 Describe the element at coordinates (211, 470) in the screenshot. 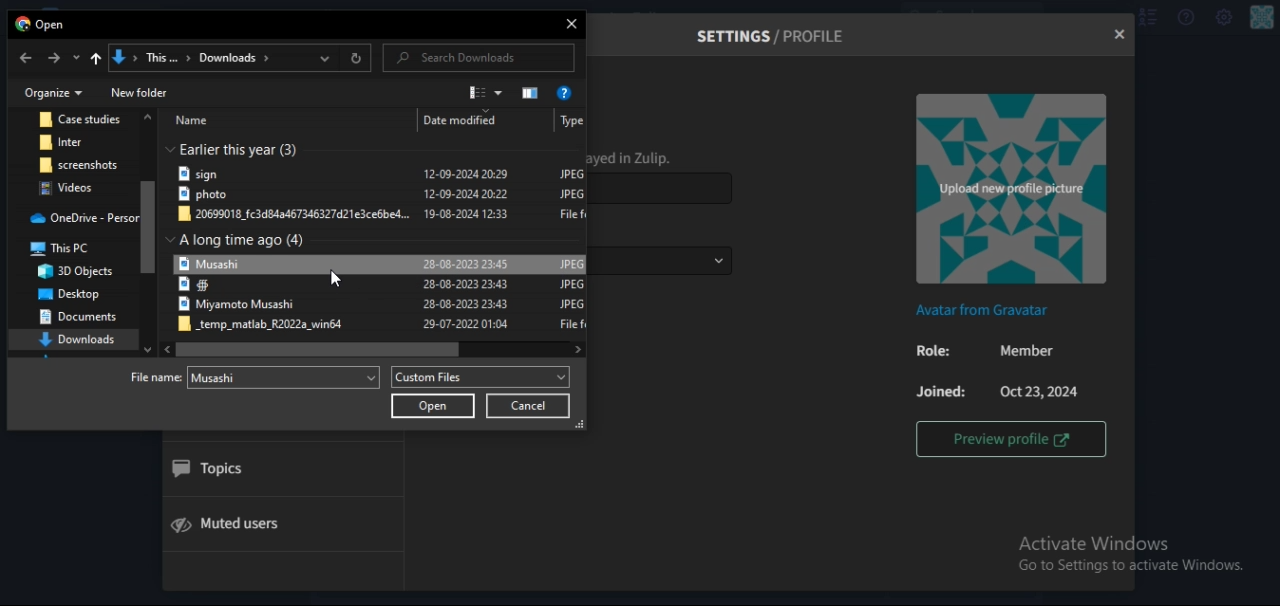

I see `Topics` at that location.